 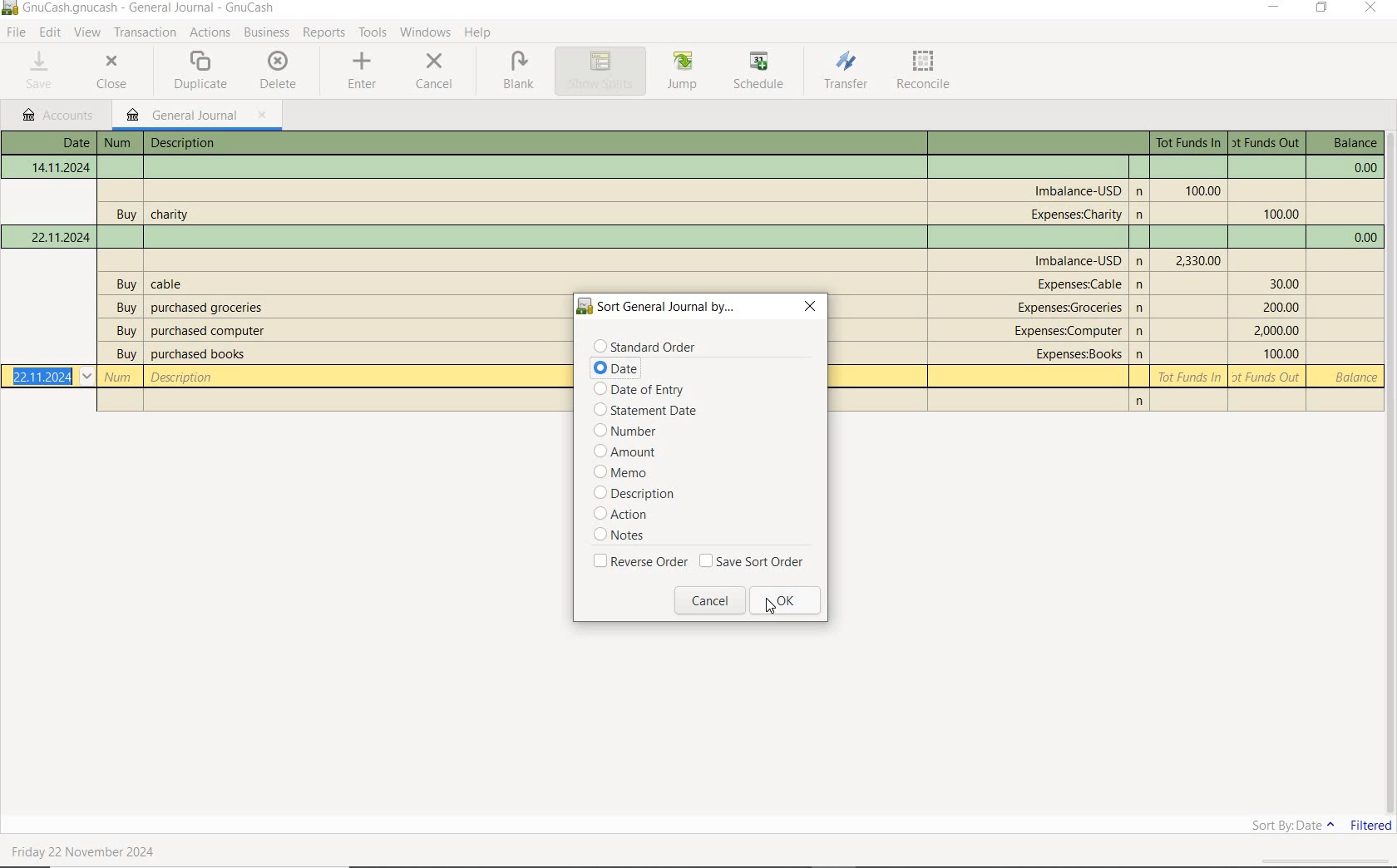 I want to click on account, so click(x=1078, y=189).